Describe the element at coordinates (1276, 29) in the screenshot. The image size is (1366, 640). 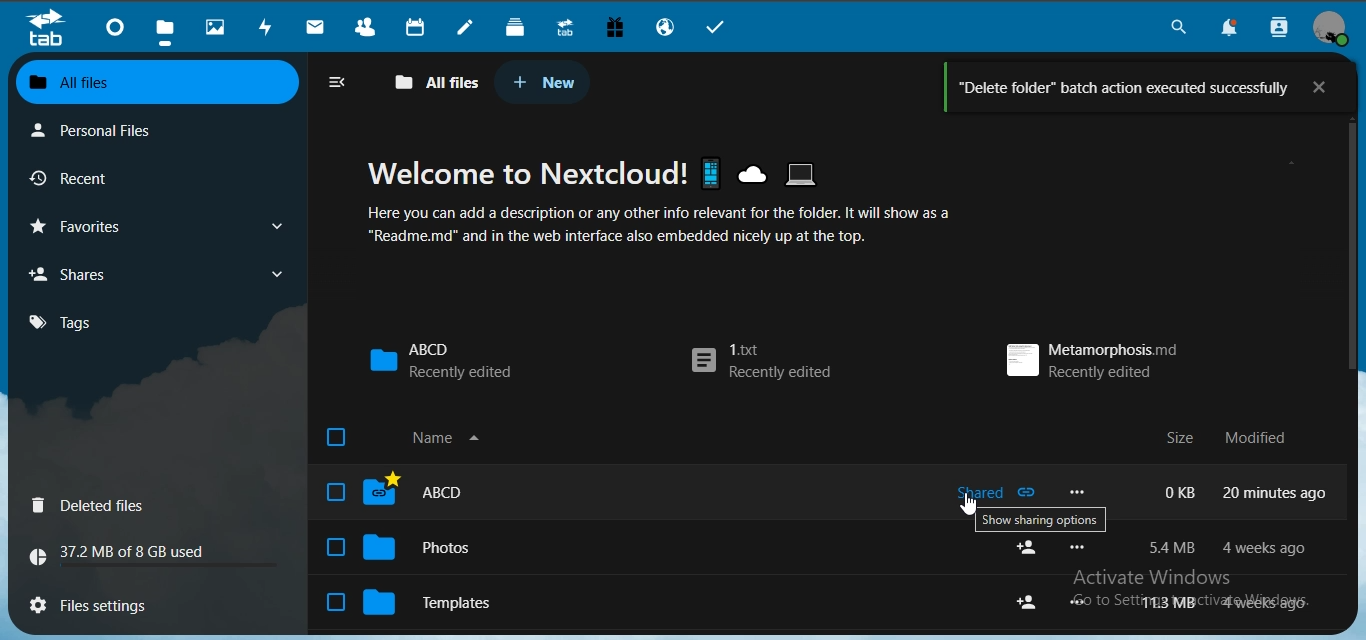
I see `search contacts` at that location.